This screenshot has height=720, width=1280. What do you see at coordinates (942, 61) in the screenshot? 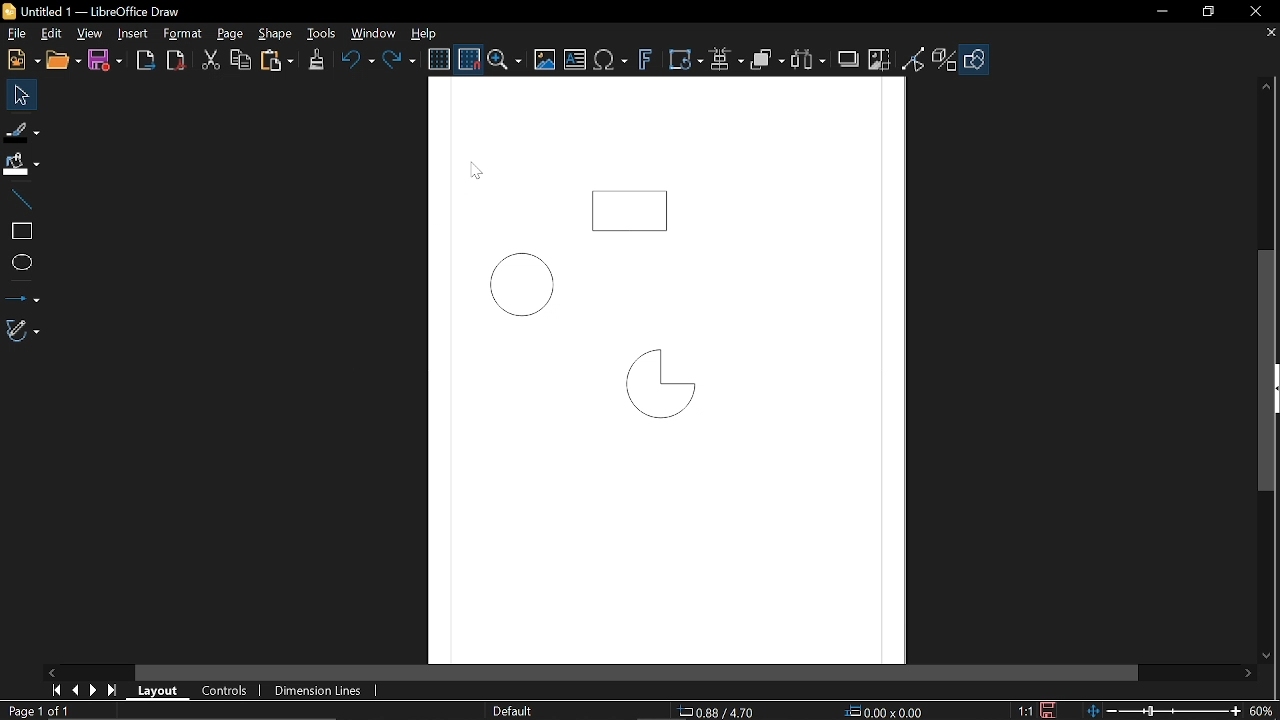
I see `Toggle extrusion` at bounding box center [942, 61].